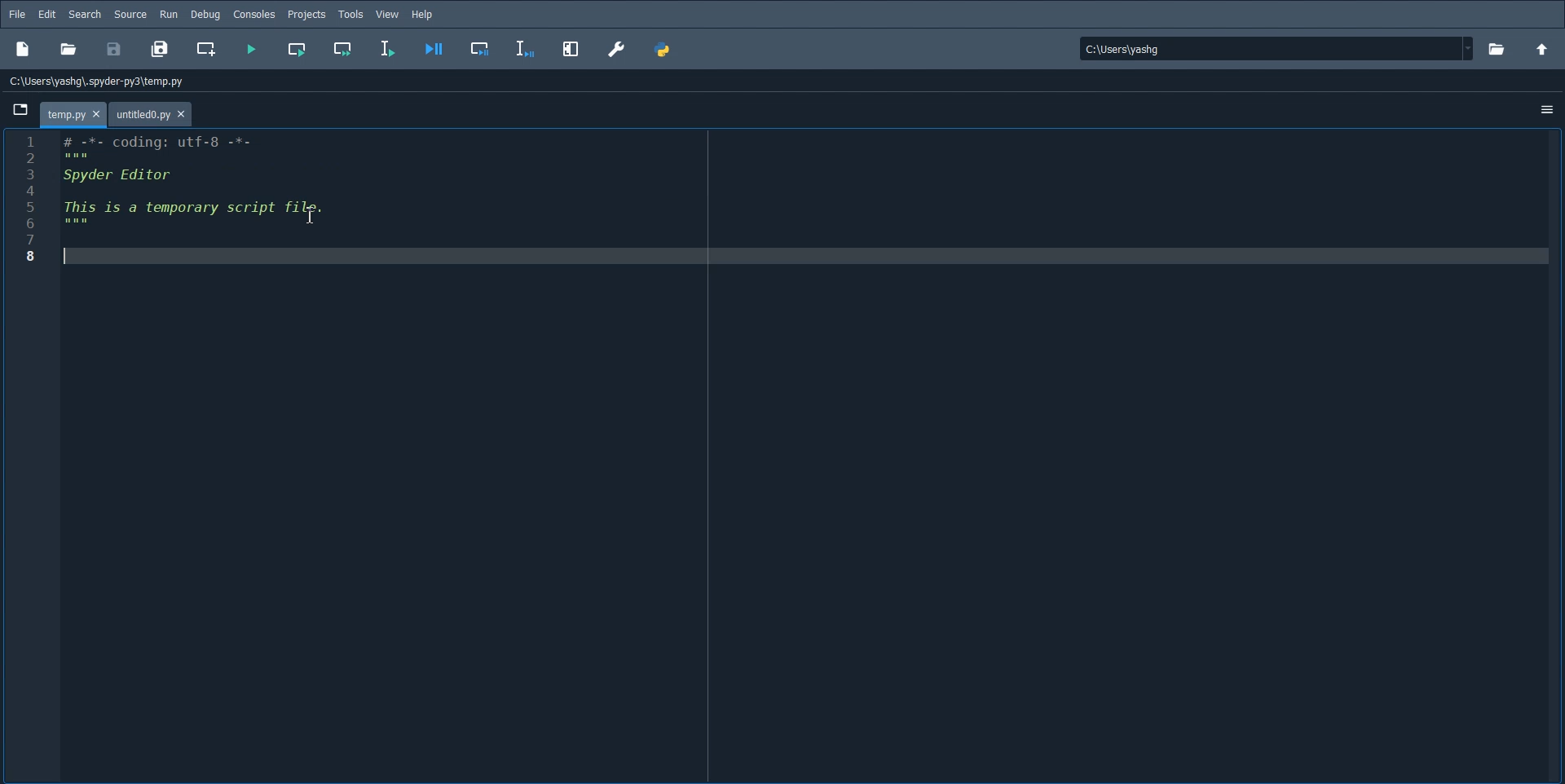 Image resolution: width=1565 pixels, height=784 pixels. Describe the element at coordinates (298, 51) in the screenshot. I see `Run current all file` at that location.